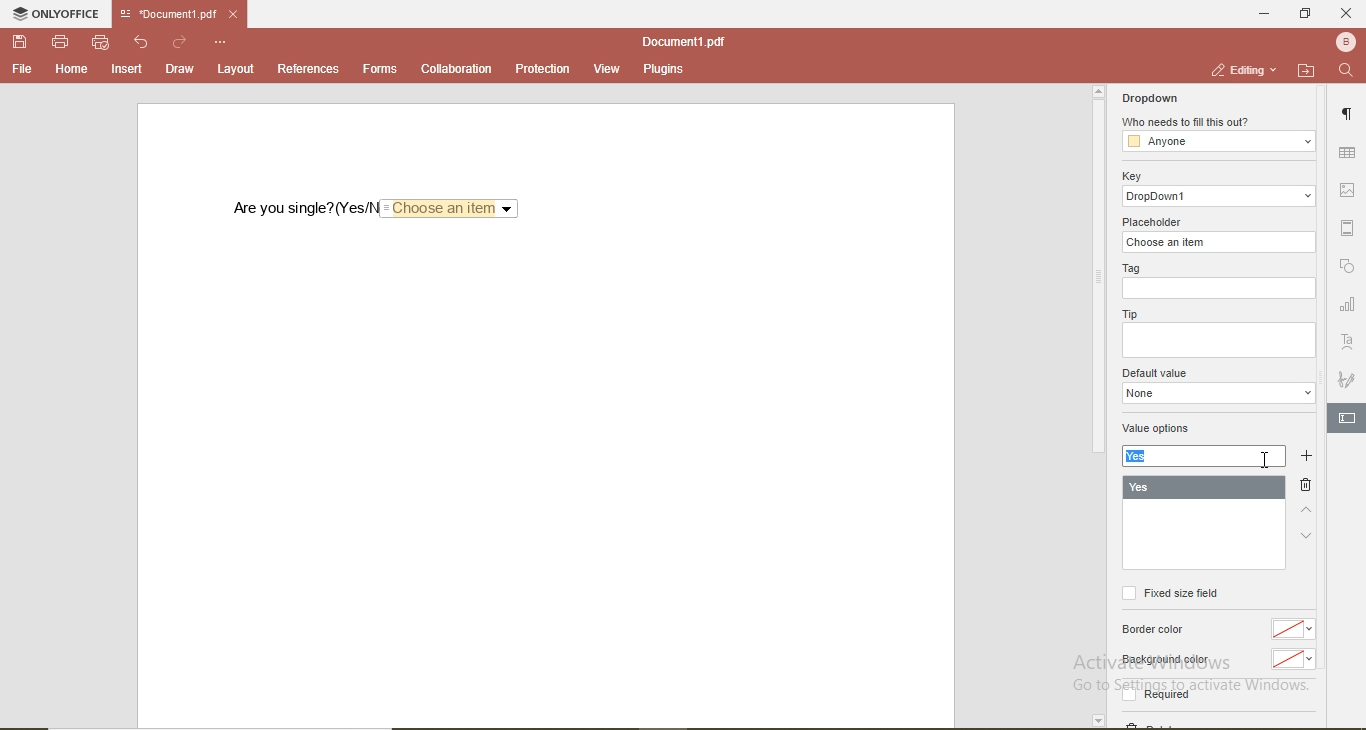 The image size is (1366, 730). What do you see at coordinates (447, 210) in the screenshot?
I see `Choose an item` at bounding box center [447, 210].